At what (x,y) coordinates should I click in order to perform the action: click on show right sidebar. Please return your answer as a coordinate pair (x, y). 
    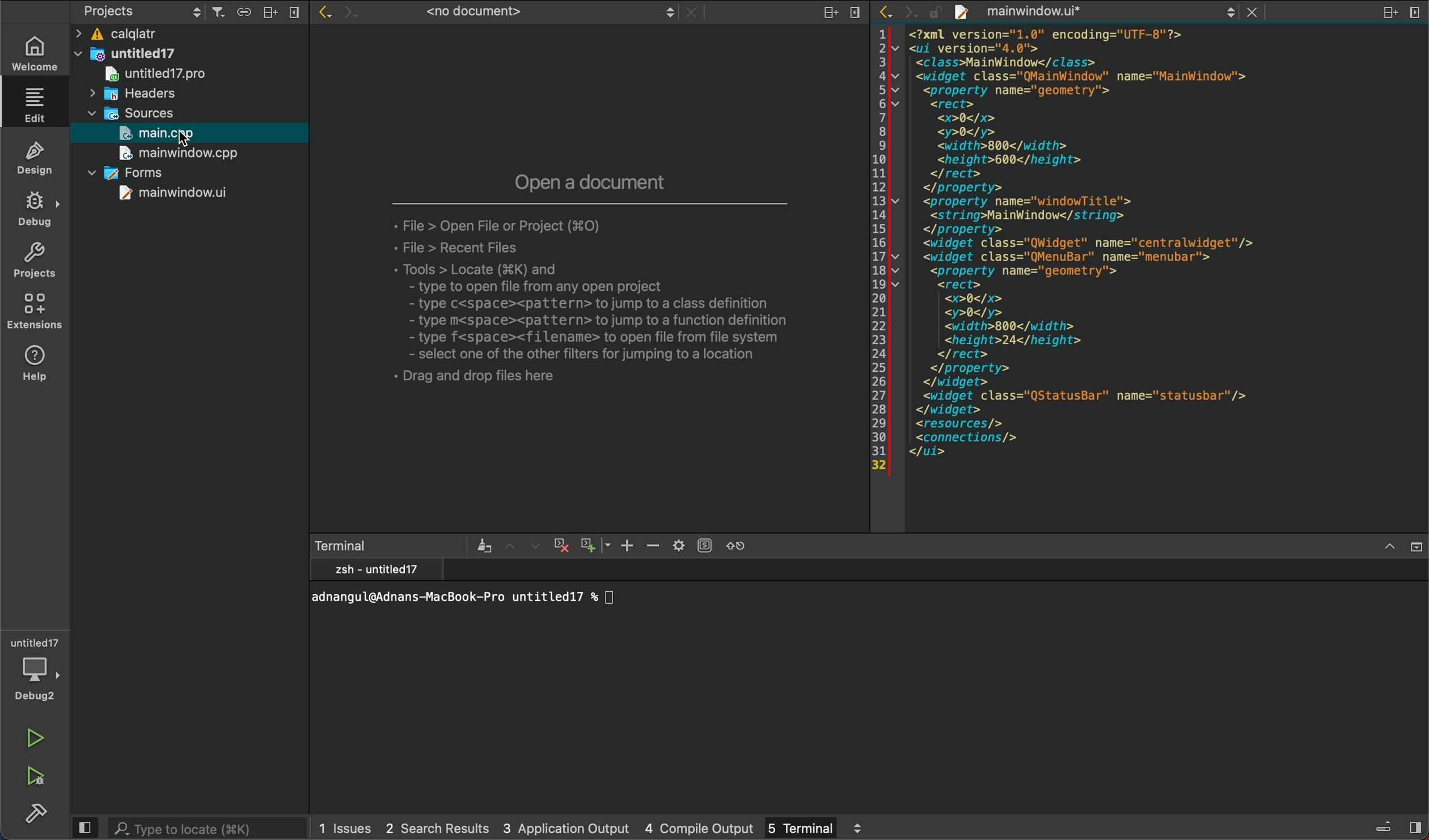
    Looking at the image, I should click on (1415, 826).